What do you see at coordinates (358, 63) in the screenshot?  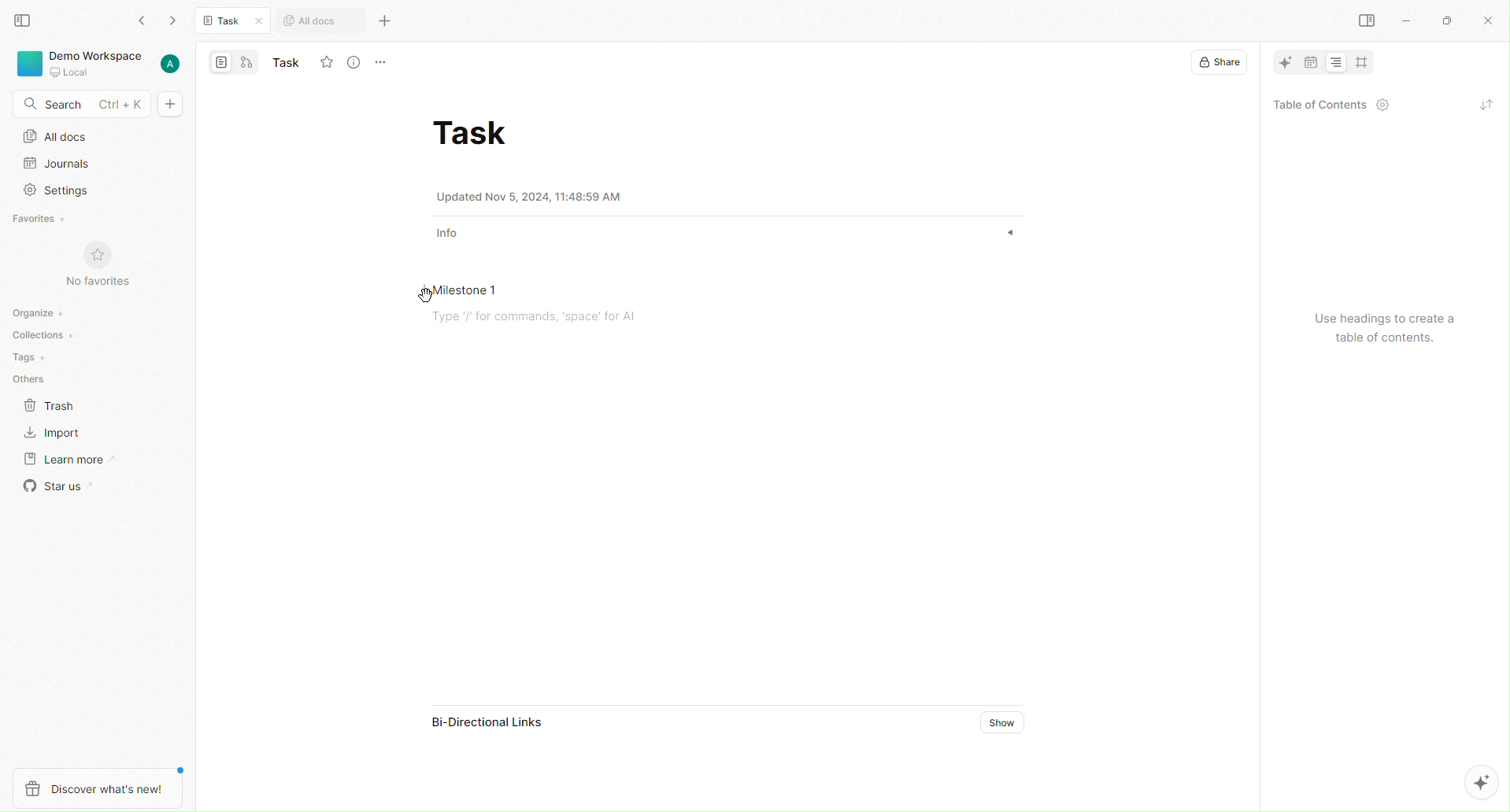 I see `View Info` at bounding box center [358, 63].